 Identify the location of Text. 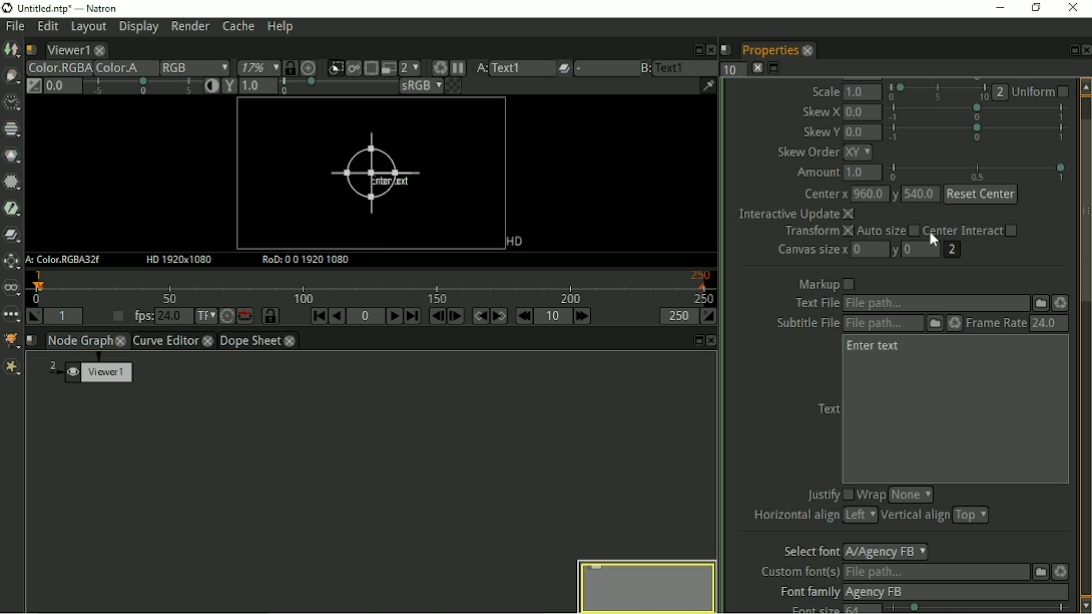
(829, 407).